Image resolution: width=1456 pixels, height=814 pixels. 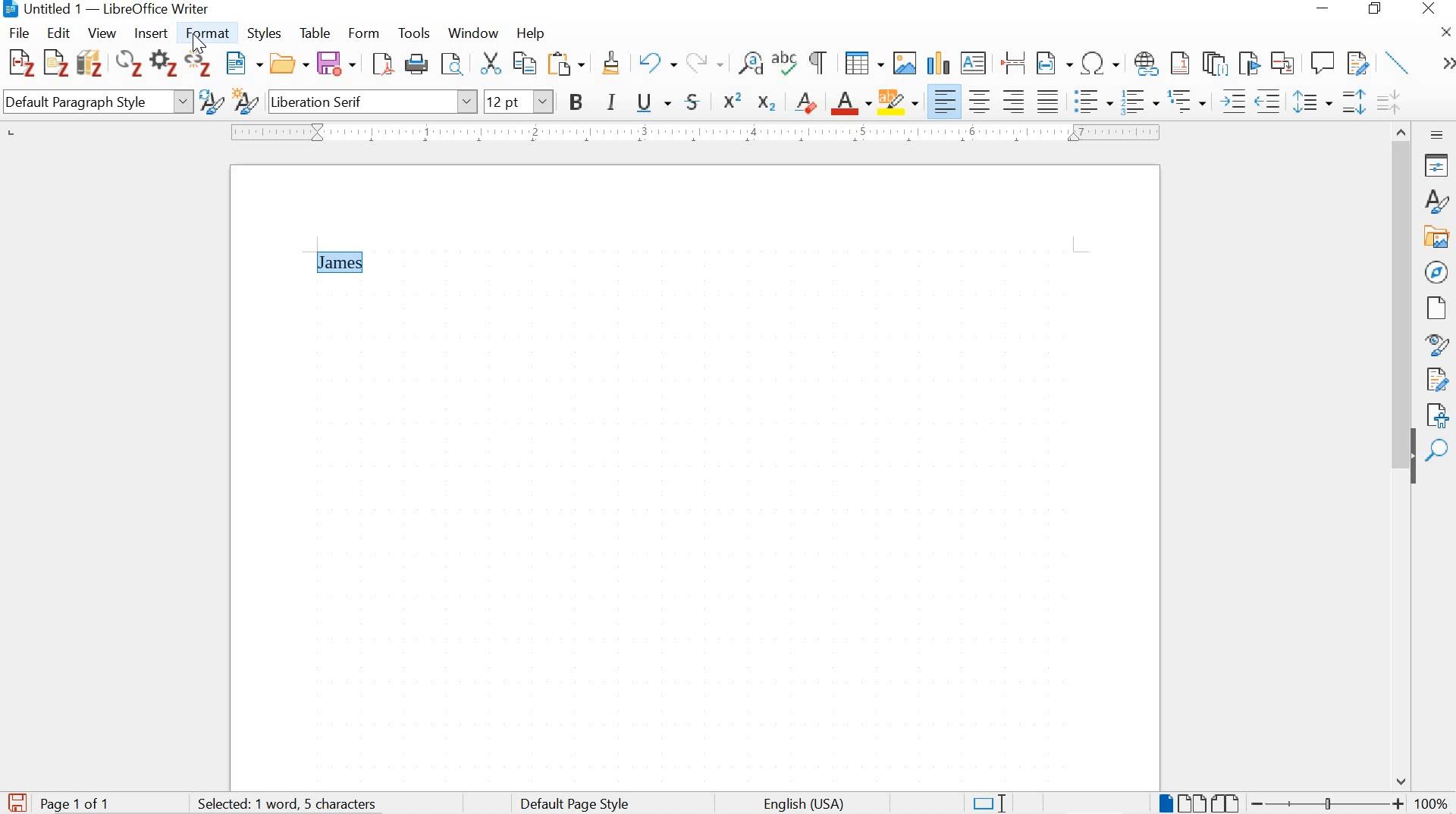 What do you see at coordinates (1188, 102) in the screenshot?
I see `outline format` at bounding box center [1188, 102].